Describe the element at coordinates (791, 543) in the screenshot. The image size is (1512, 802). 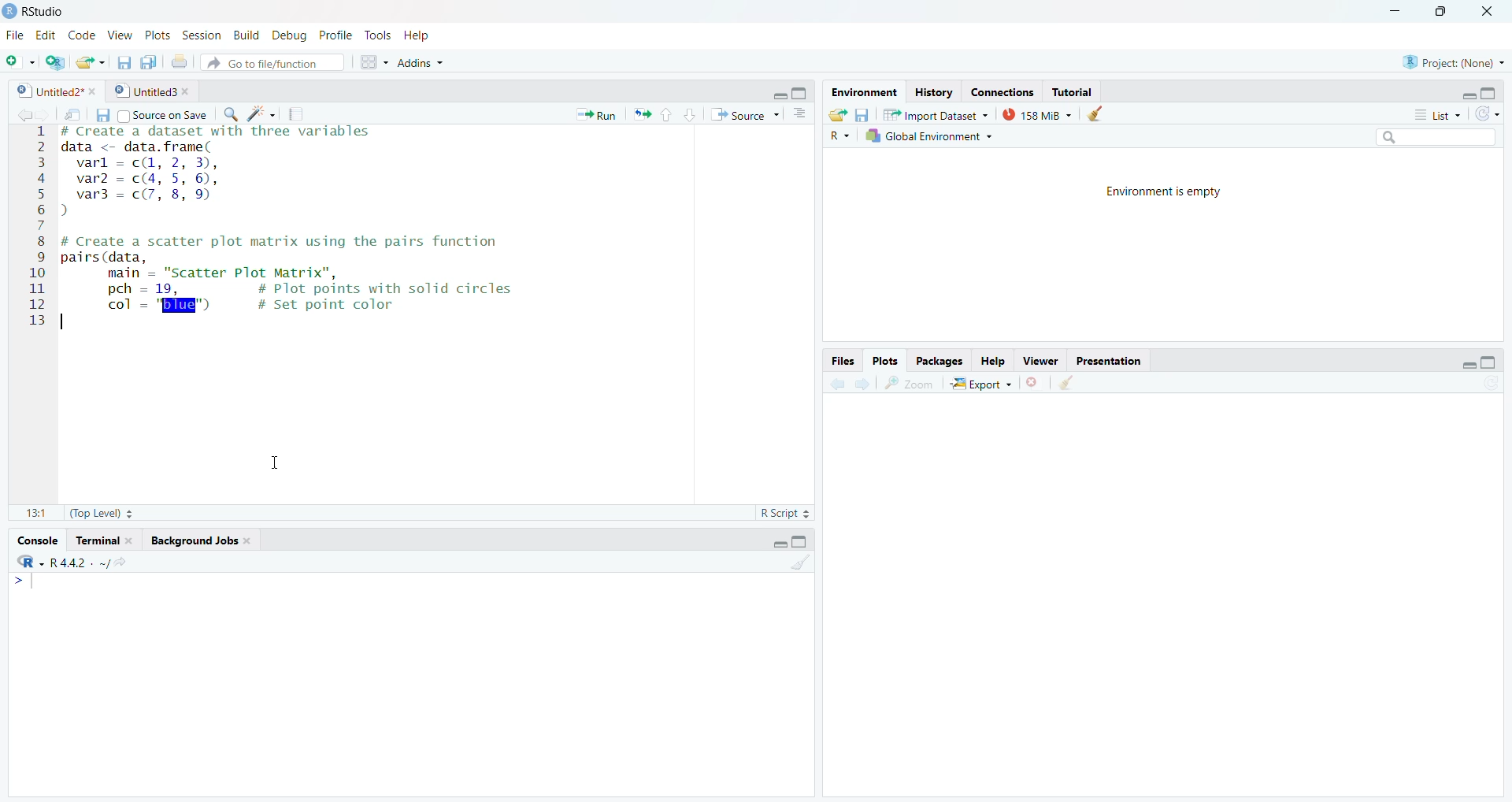
I see `mINIMIZE MAXIMIZE BUTTON` at that location.